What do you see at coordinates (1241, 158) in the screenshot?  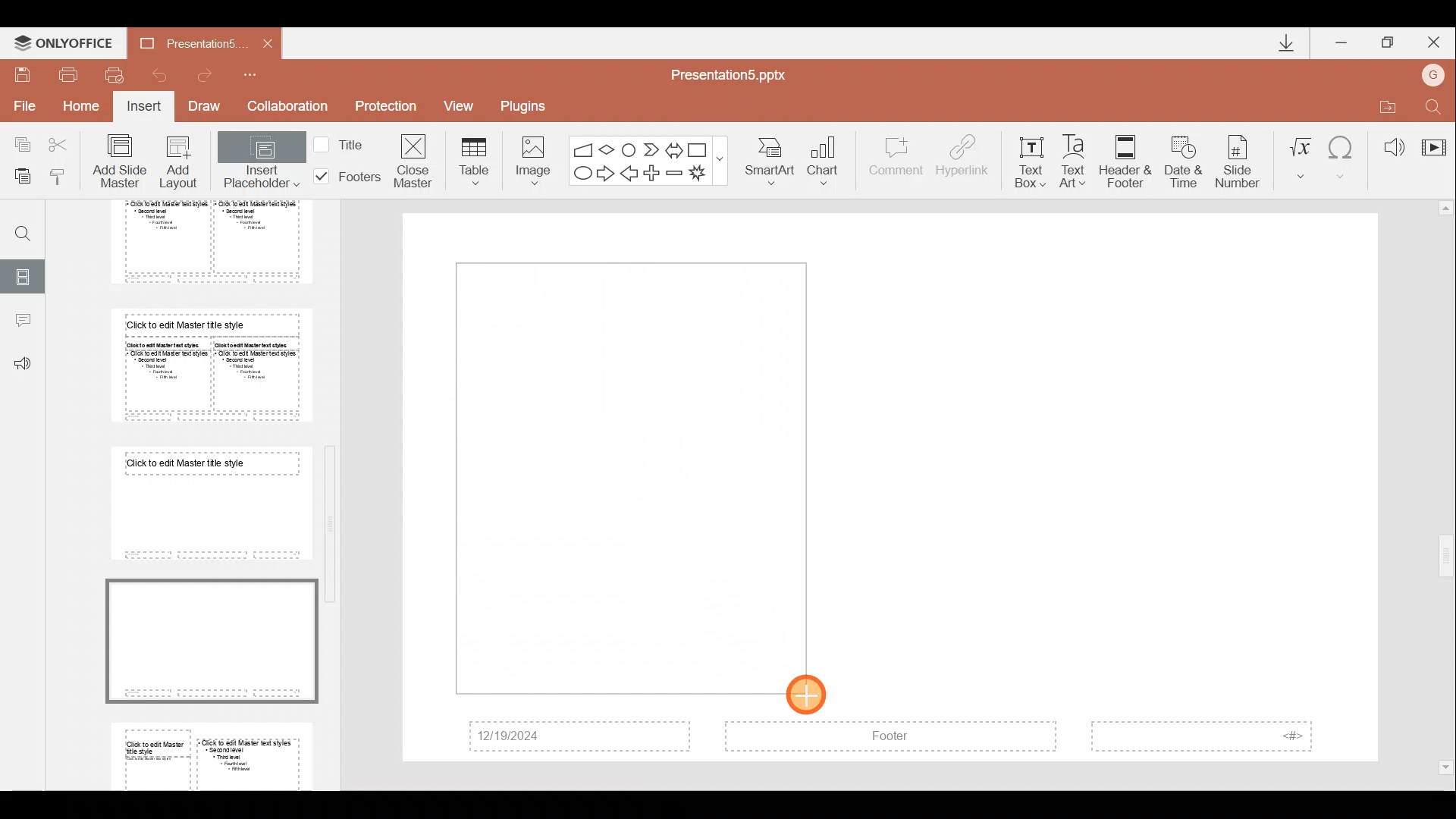 I see `Slide number` at bounding box center [1241, 158].